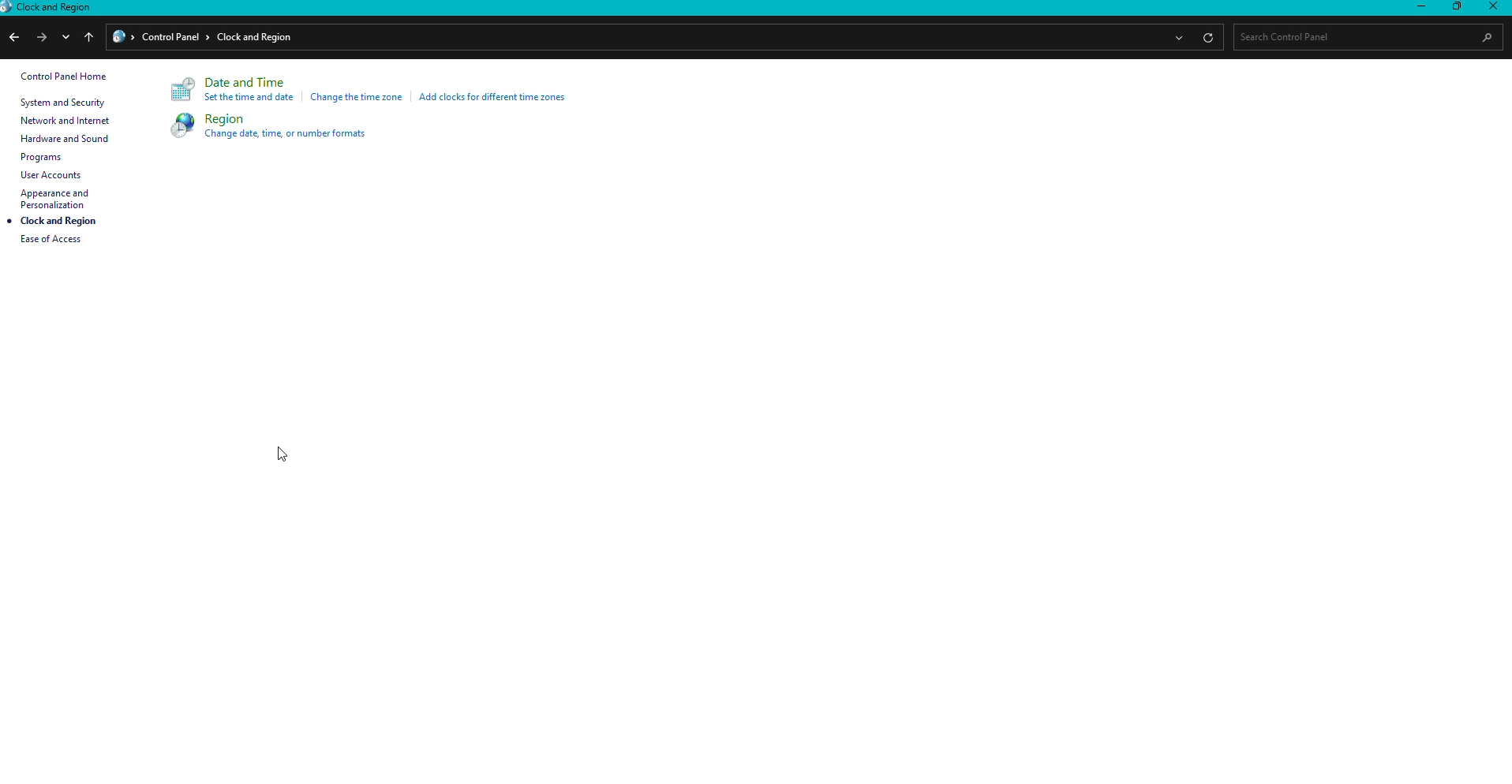  I want to click on File path, so click(627, 36).